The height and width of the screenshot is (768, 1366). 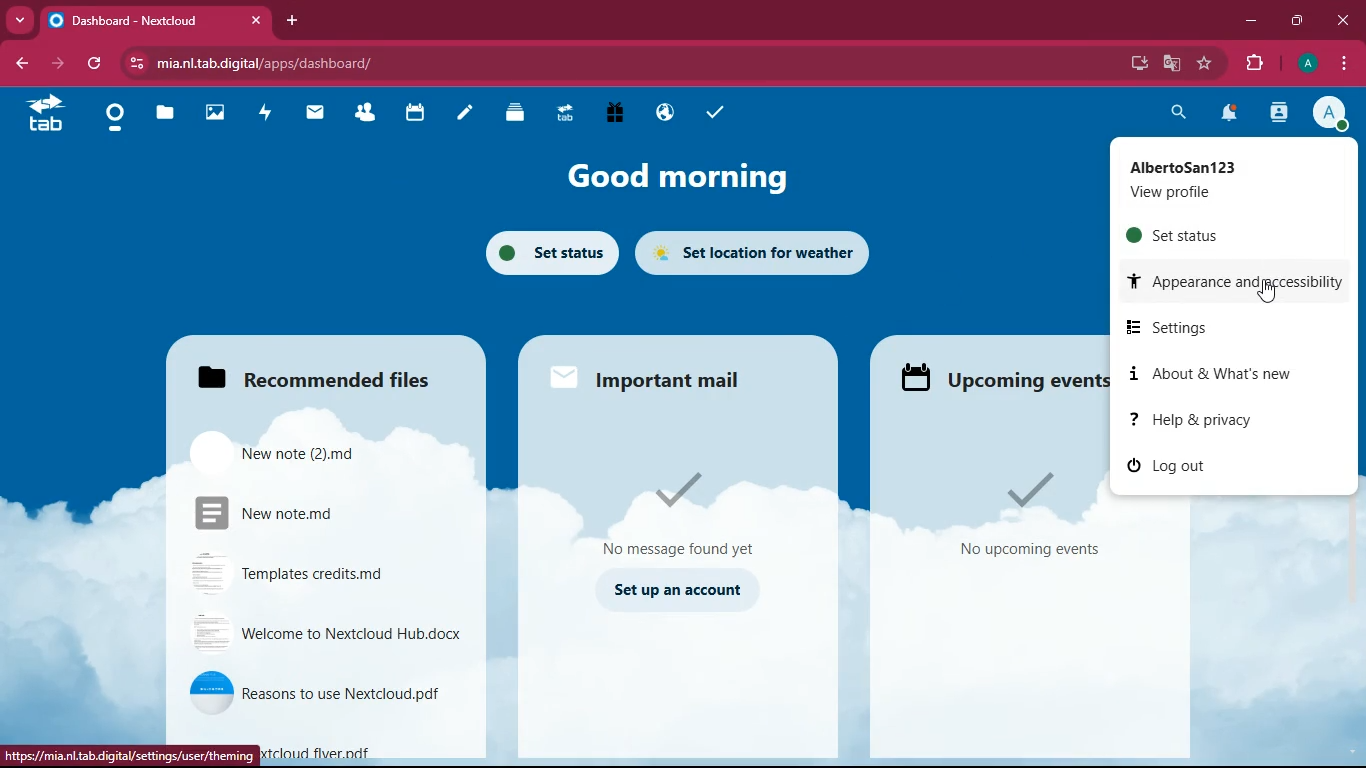 I want to click on appearance, so click(x=1242, y=281).